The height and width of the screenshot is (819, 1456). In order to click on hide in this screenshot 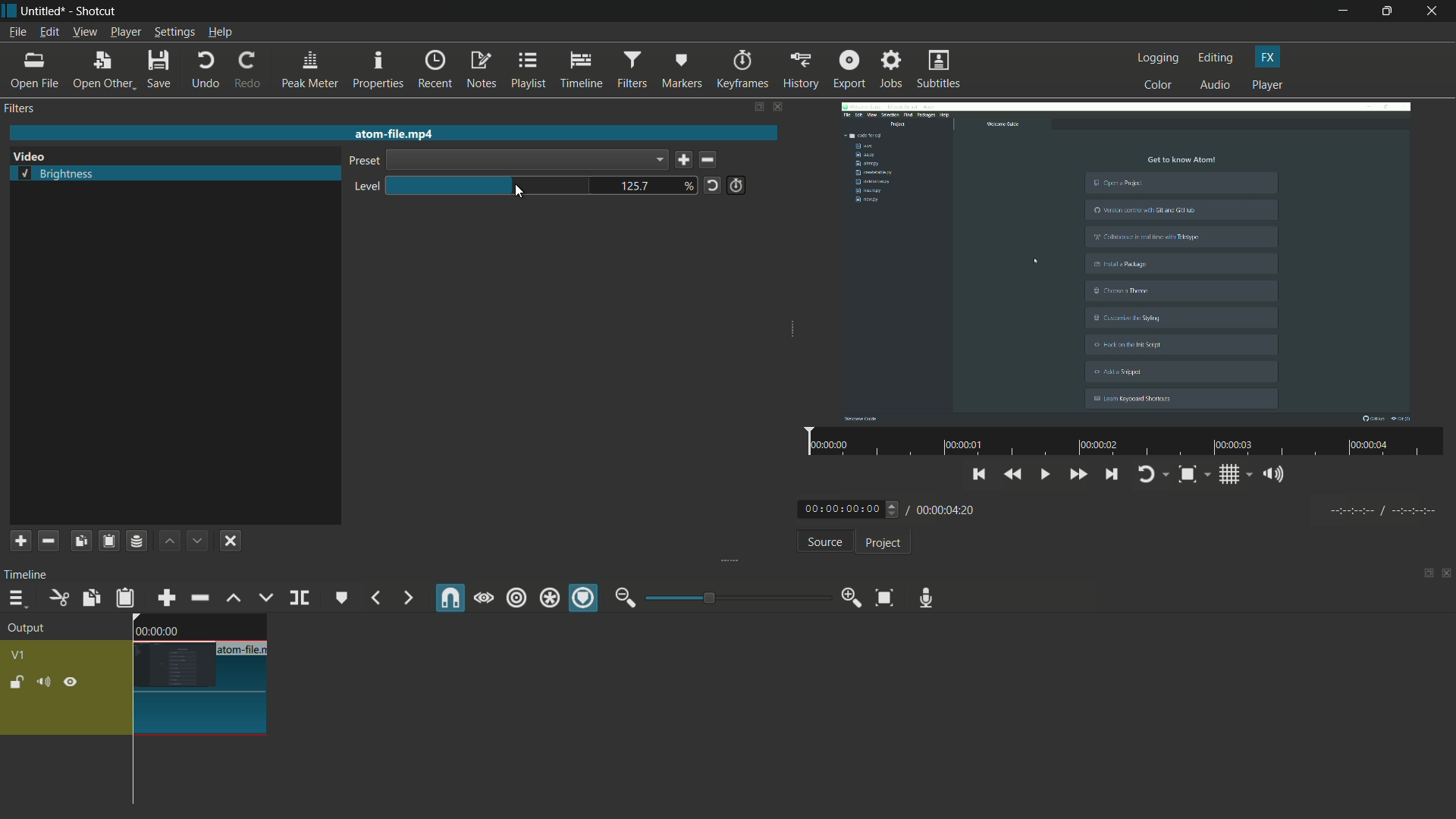, I will do `click(71, 682)`.